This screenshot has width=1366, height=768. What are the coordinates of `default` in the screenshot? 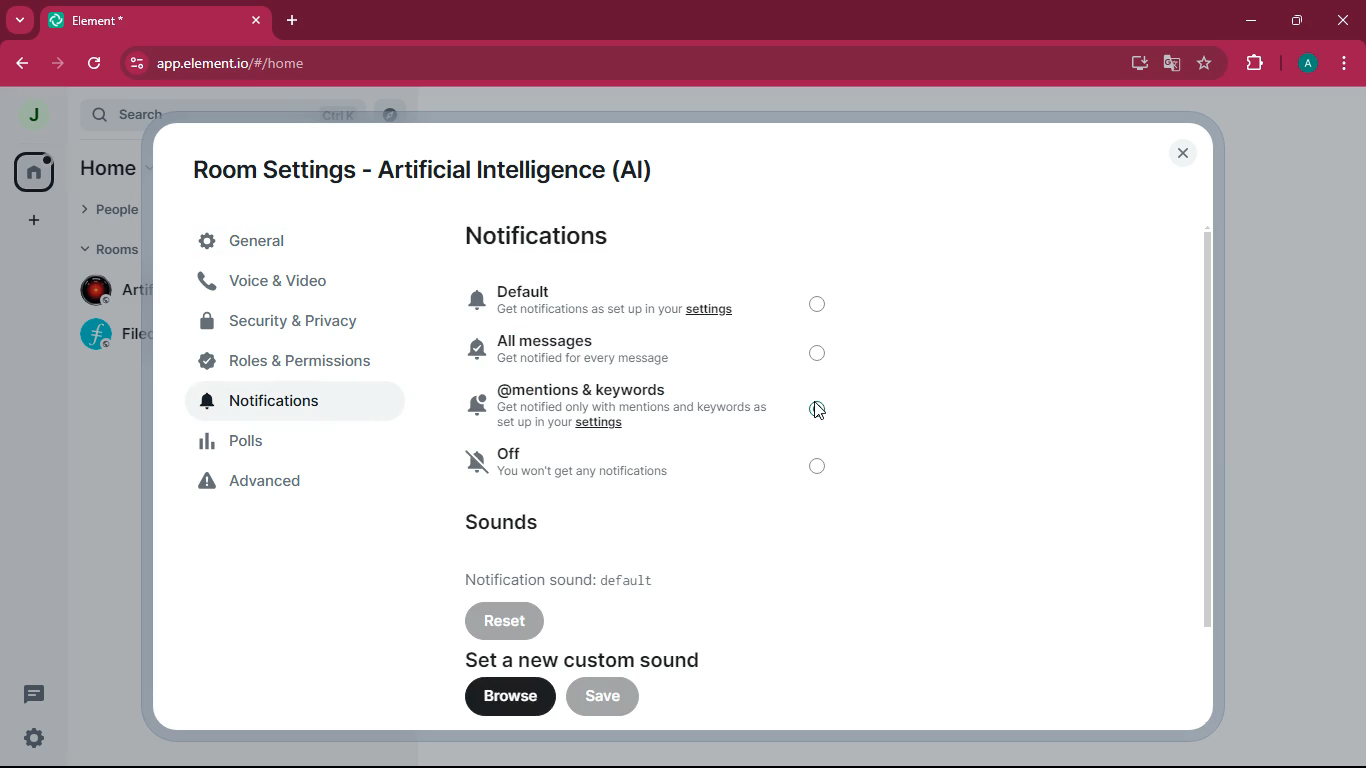 It's located at (611, 302).